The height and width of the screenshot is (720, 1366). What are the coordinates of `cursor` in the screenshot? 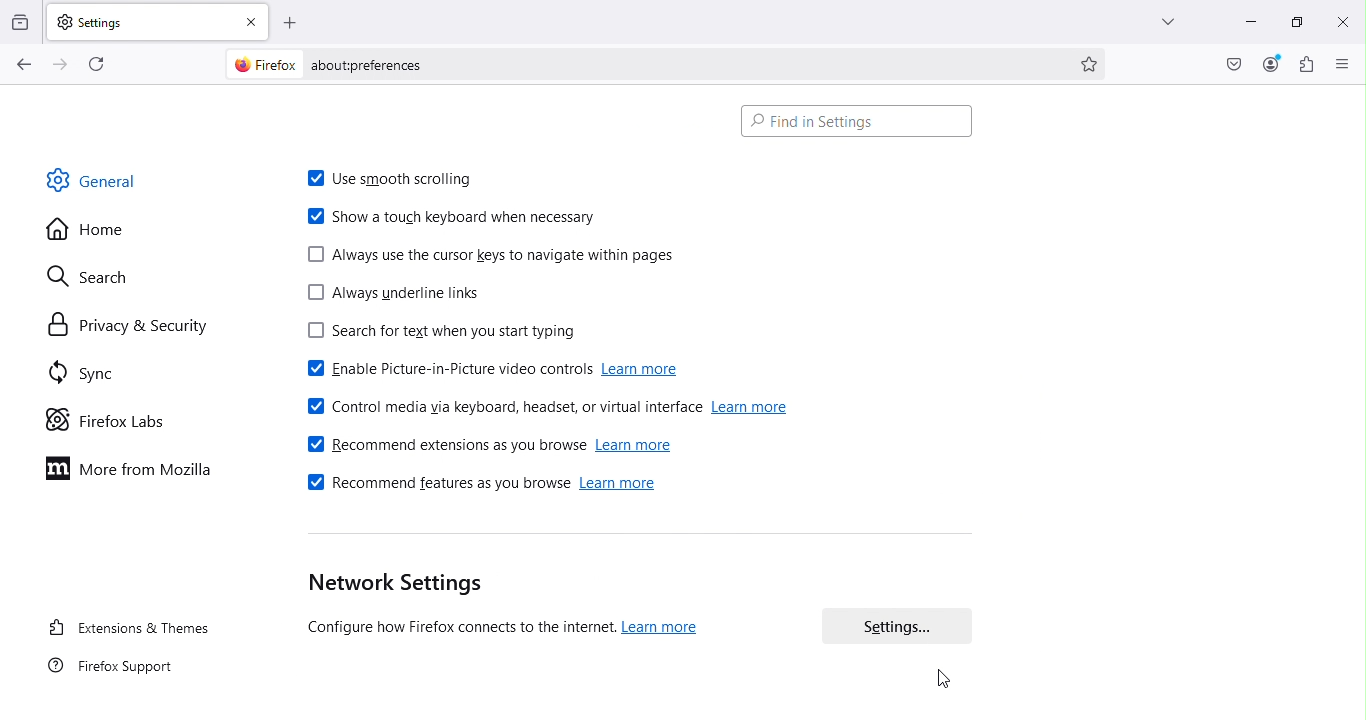 It's located at (948, 682).